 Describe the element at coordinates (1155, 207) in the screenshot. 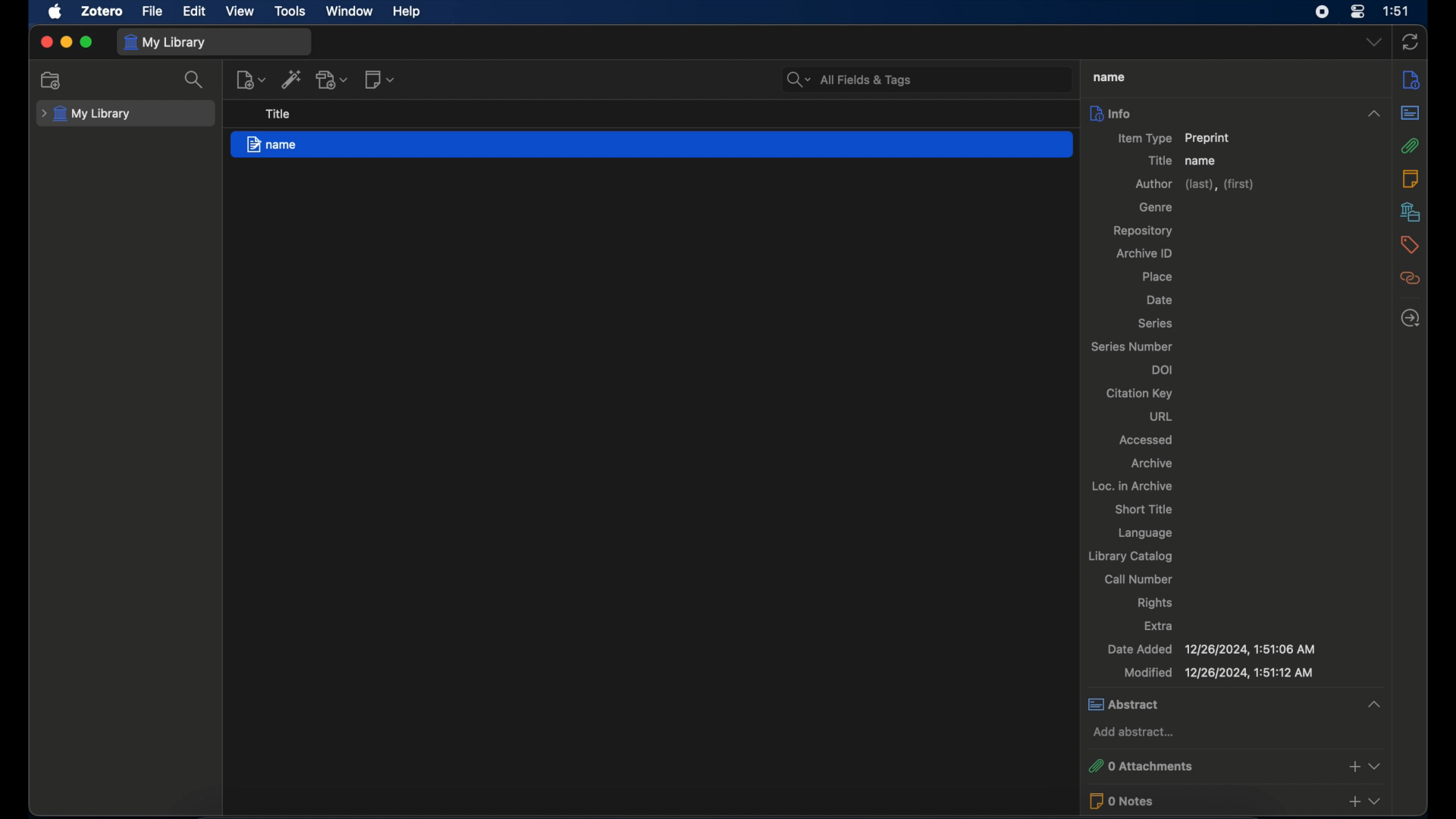

I see `genre` at that location.